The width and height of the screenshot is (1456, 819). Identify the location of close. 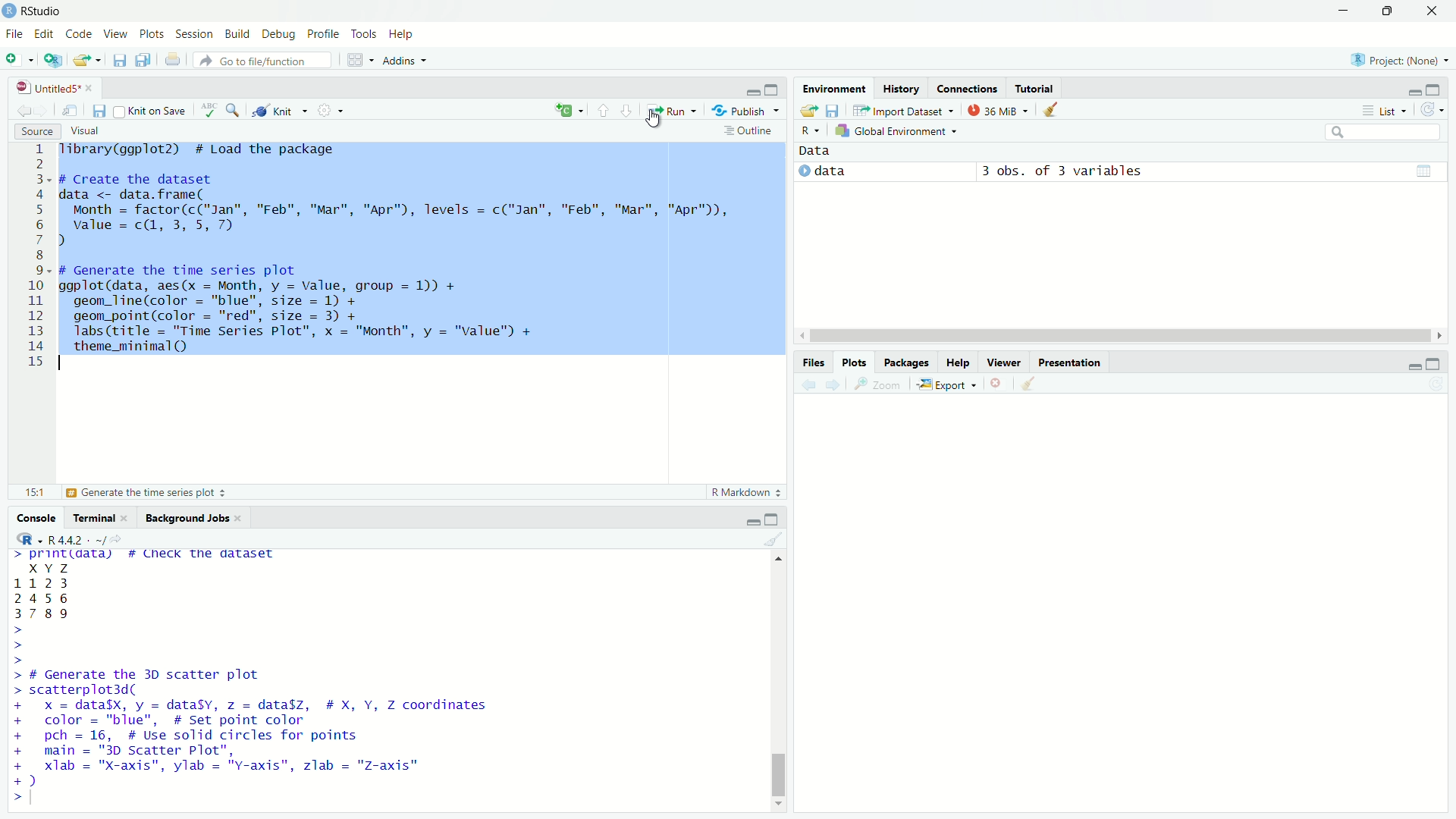
(129, 518).